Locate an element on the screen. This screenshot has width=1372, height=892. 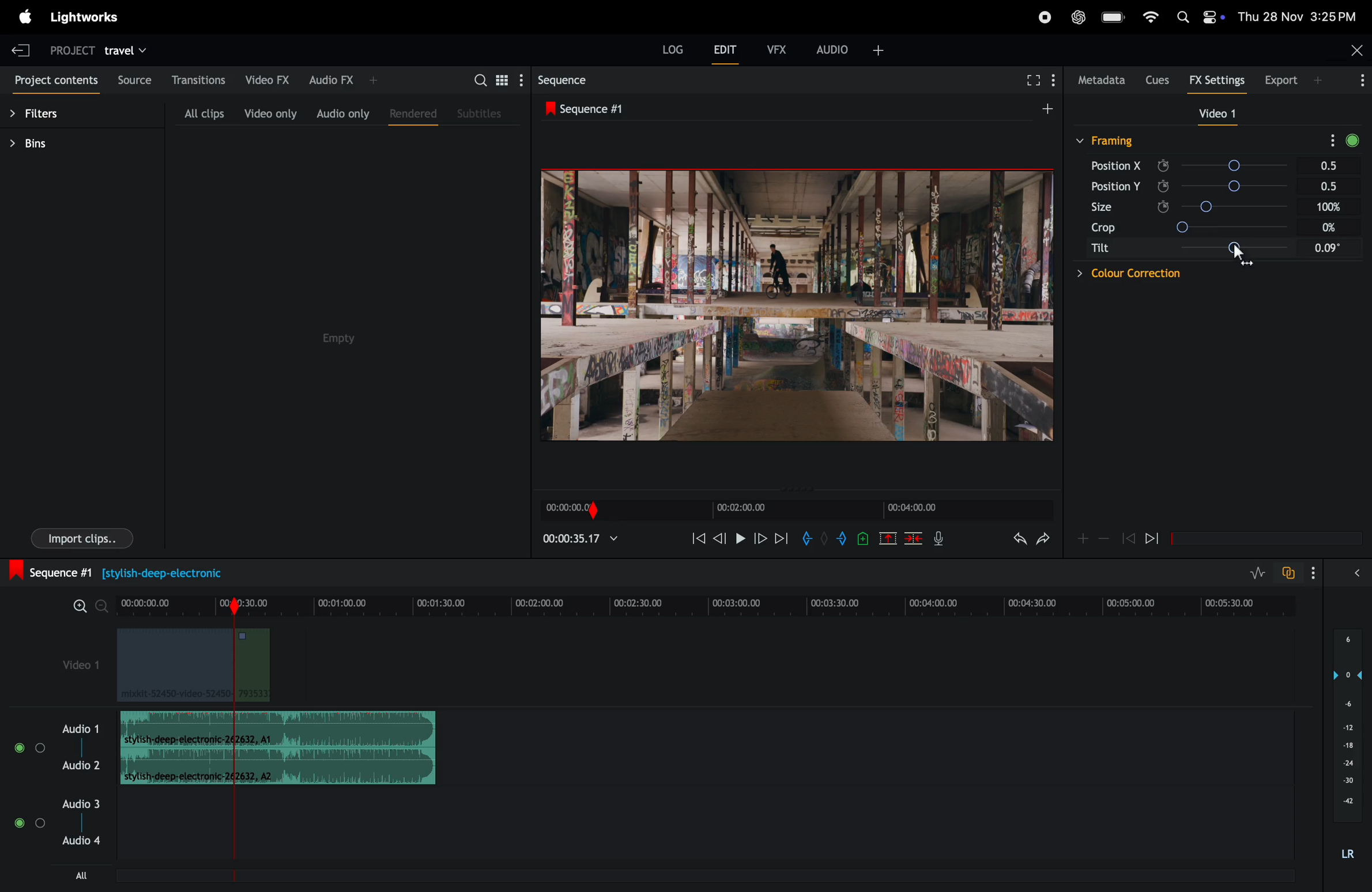
show settings  menu is located at coordinates (1329, 140).